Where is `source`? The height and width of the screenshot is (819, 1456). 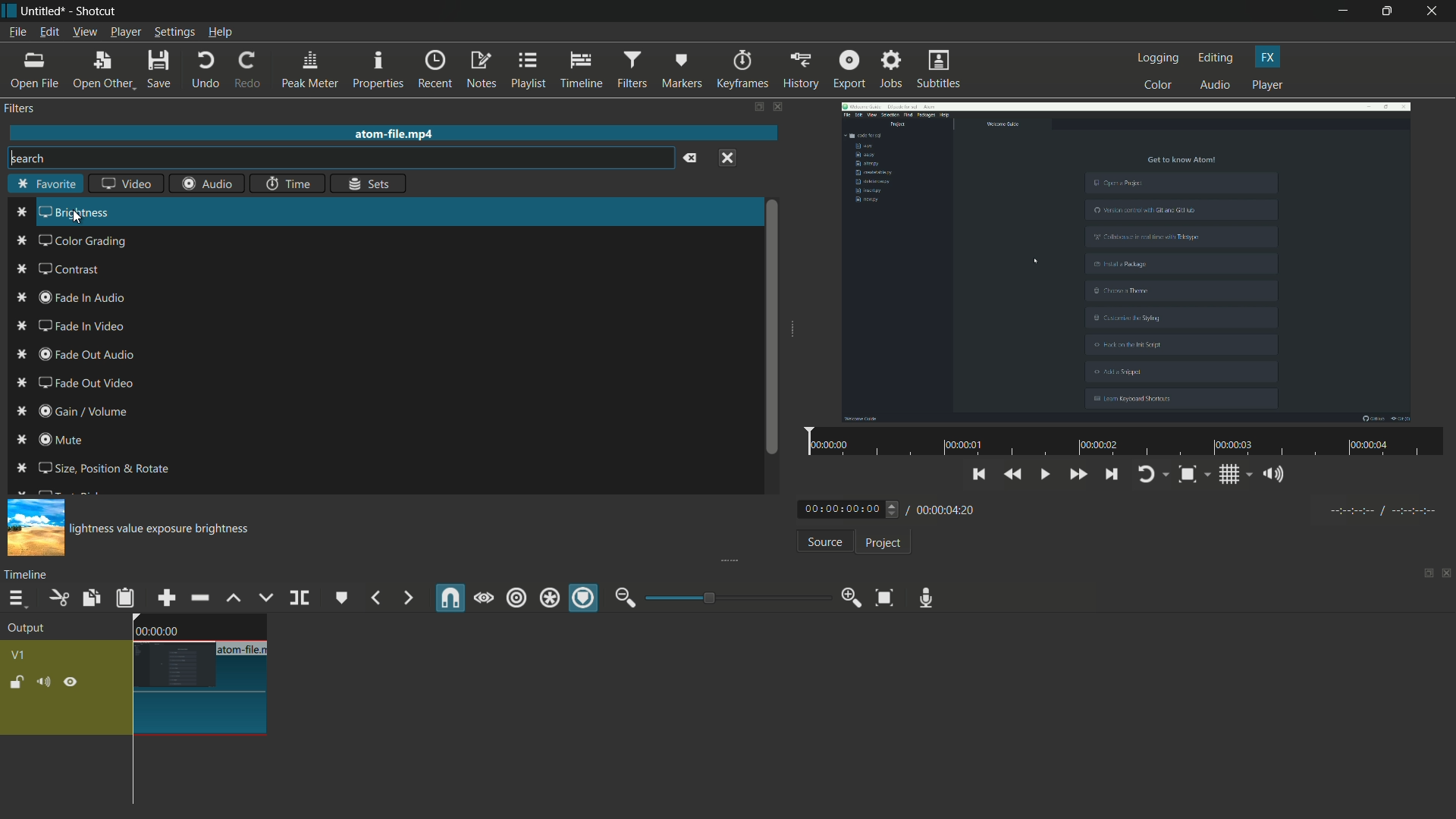
source is located at coordinates (824, 544).